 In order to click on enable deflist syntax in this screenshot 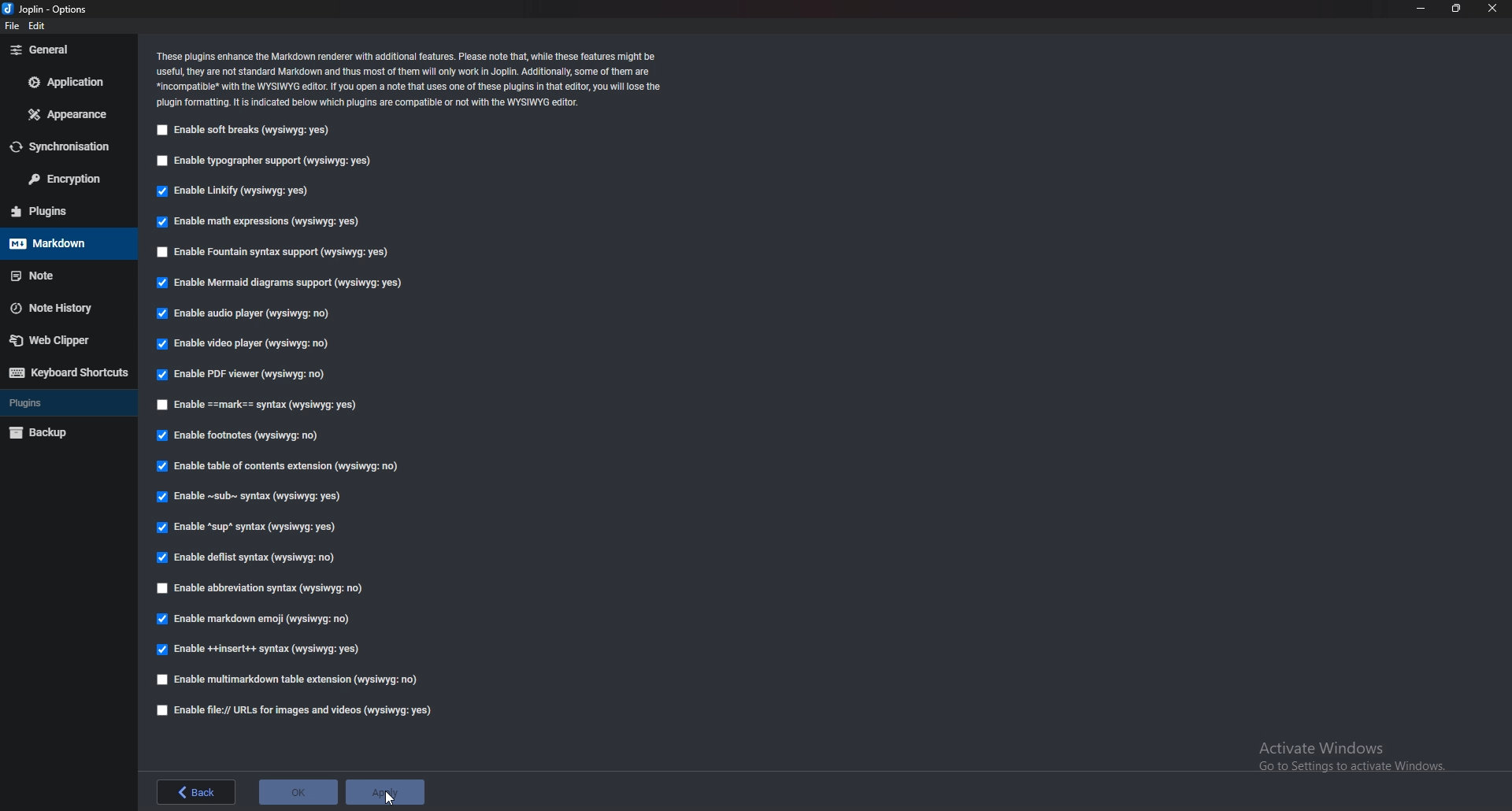, I will do `click(251, 559)`.